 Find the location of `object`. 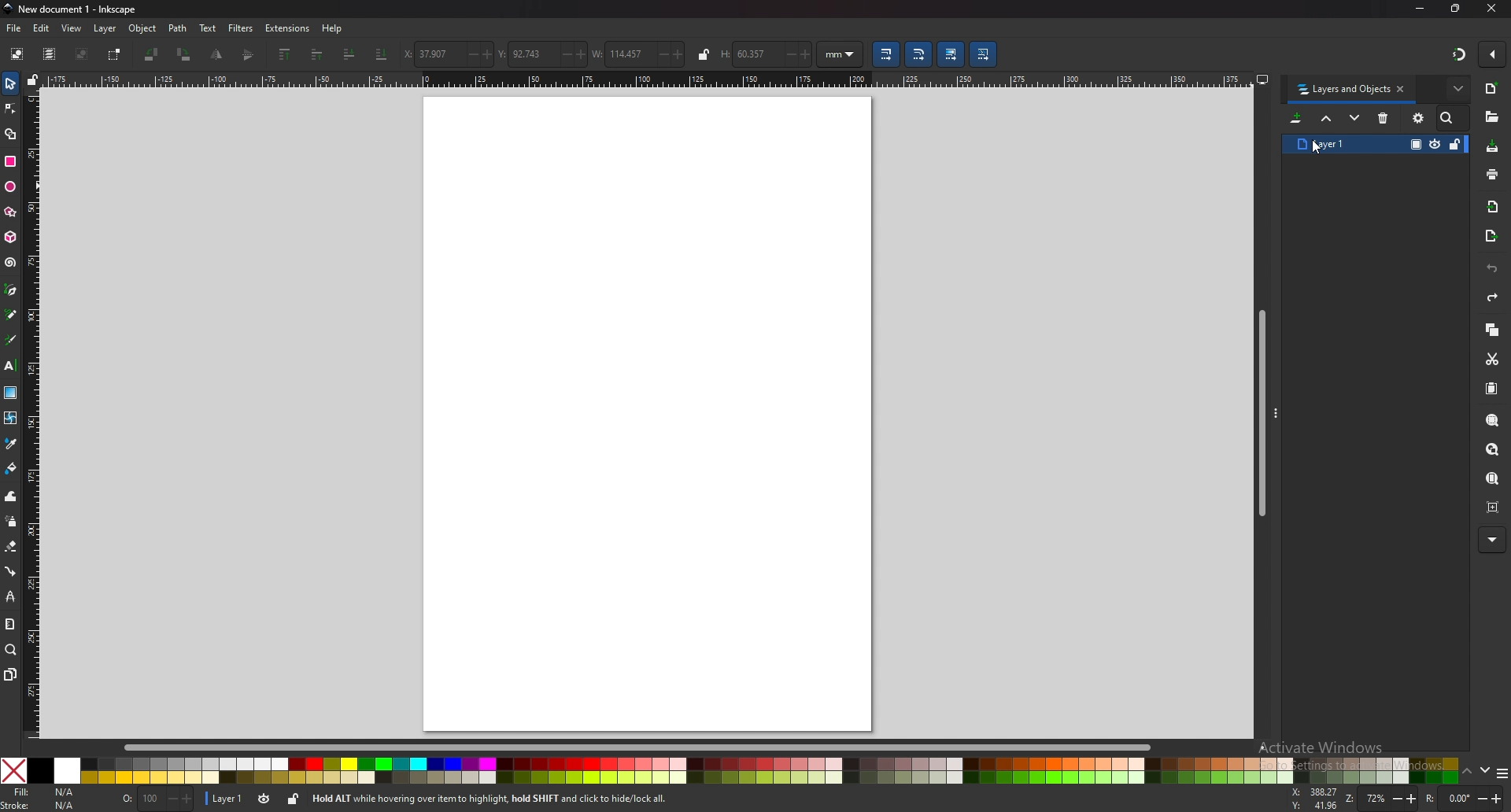

object is located at coordinates (142, 28).